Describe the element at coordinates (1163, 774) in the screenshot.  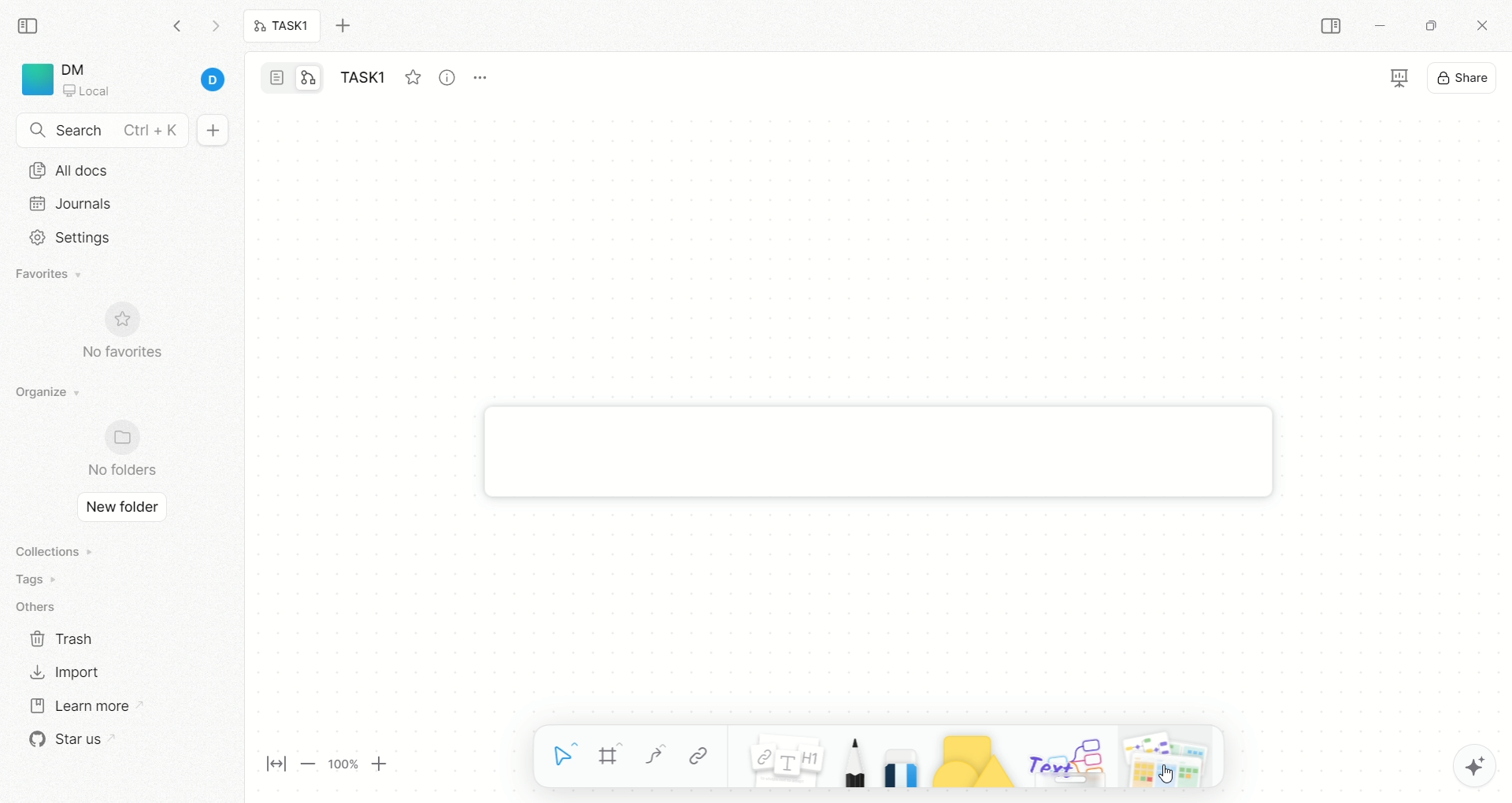
I see `cursor` at that location.